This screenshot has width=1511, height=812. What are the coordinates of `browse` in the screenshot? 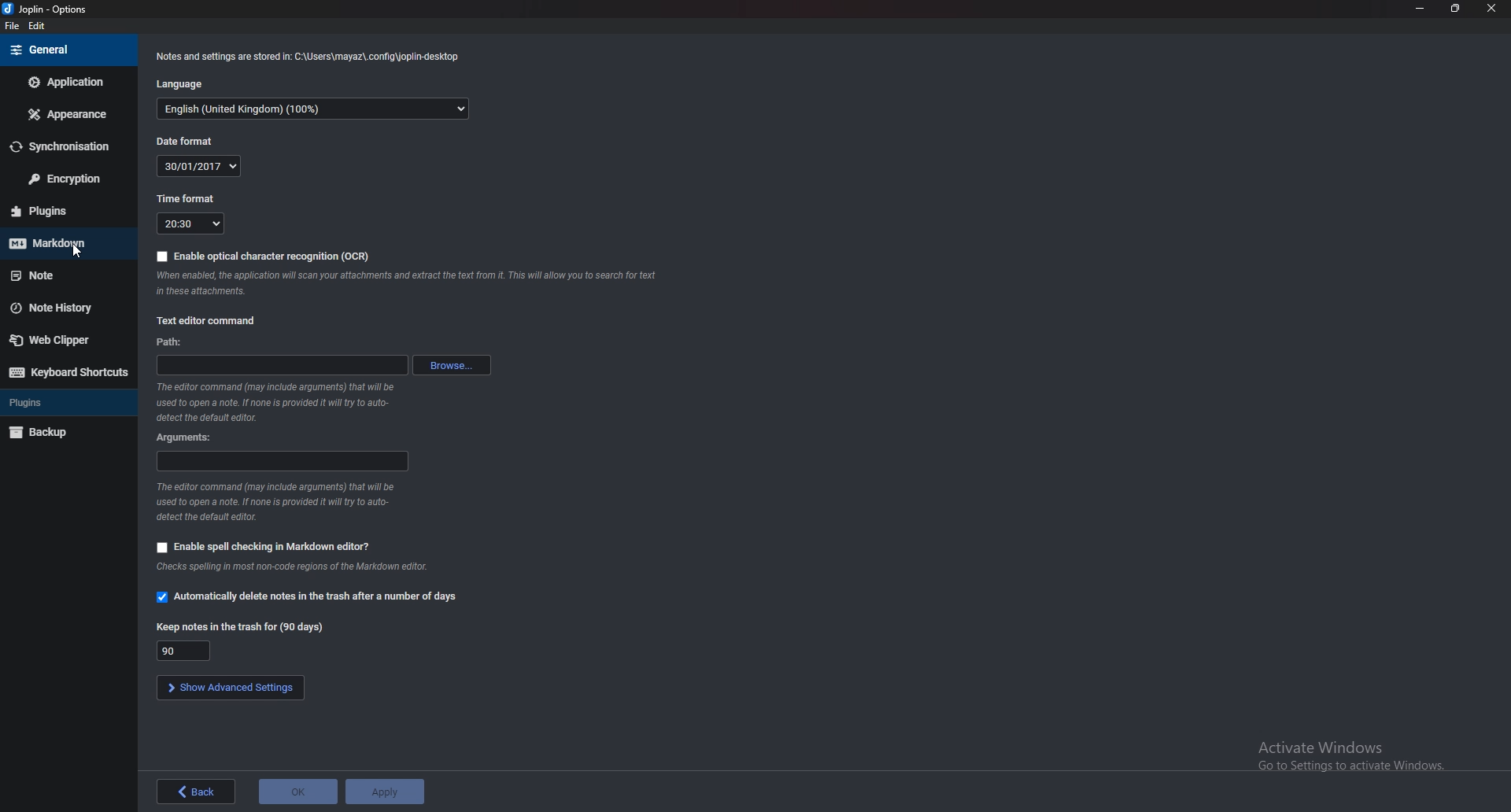 It's located at (452, 366).